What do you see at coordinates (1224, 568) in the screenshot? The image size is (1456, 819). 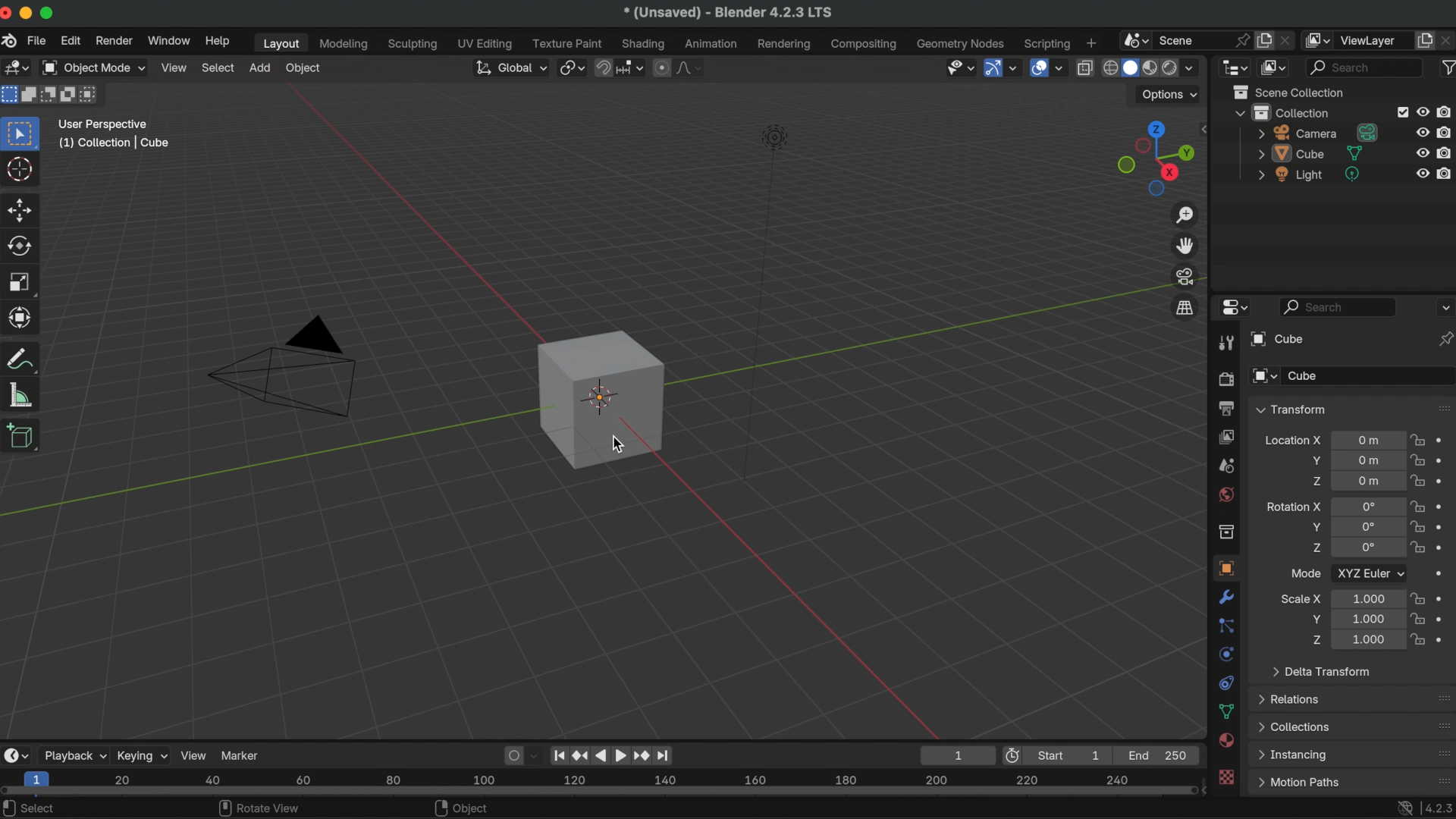 I see `object` at bounding box center [1224, 568].